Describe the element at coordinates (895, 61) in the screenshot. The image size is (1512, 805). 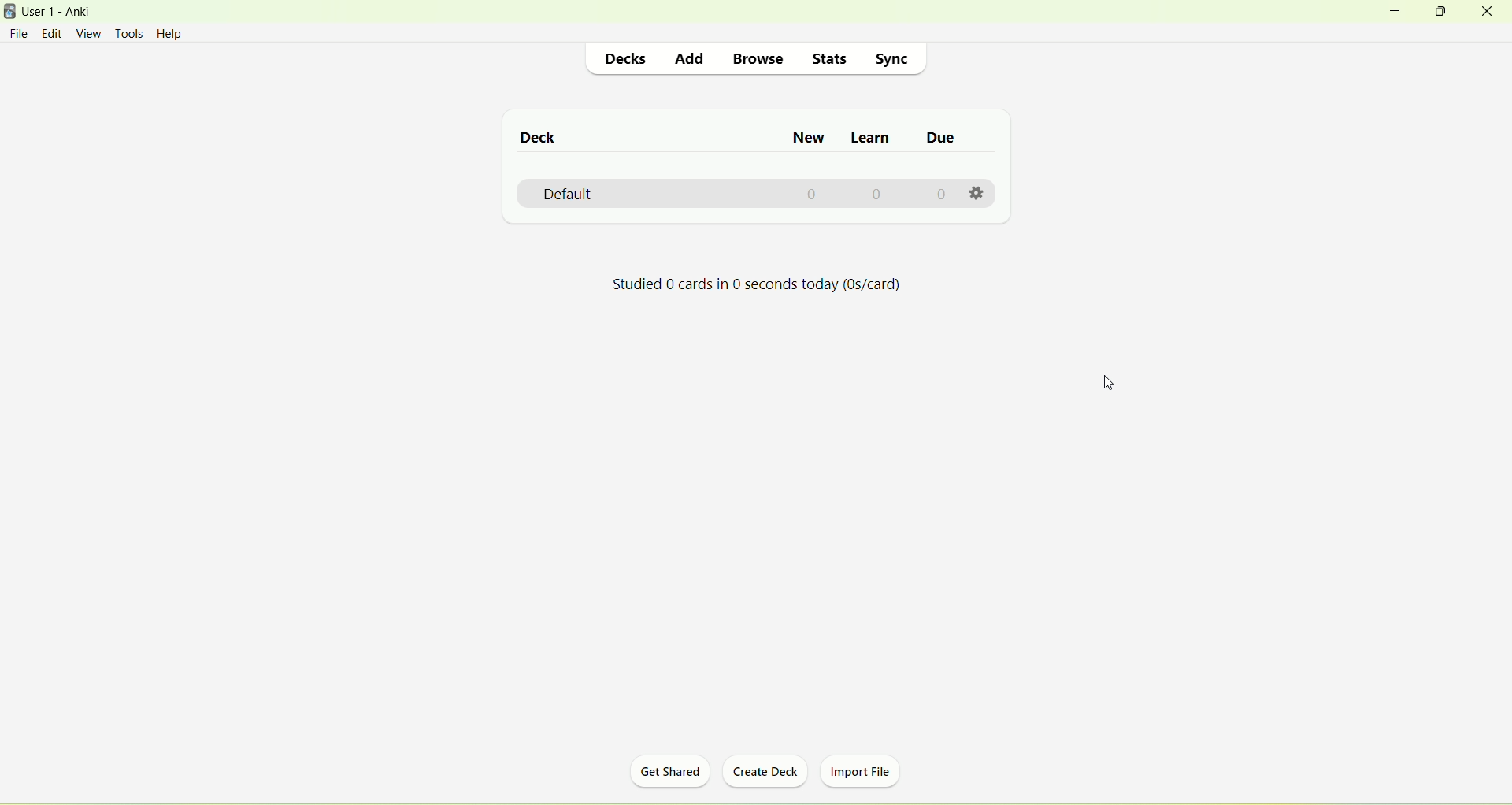
I see `sync` at that location.